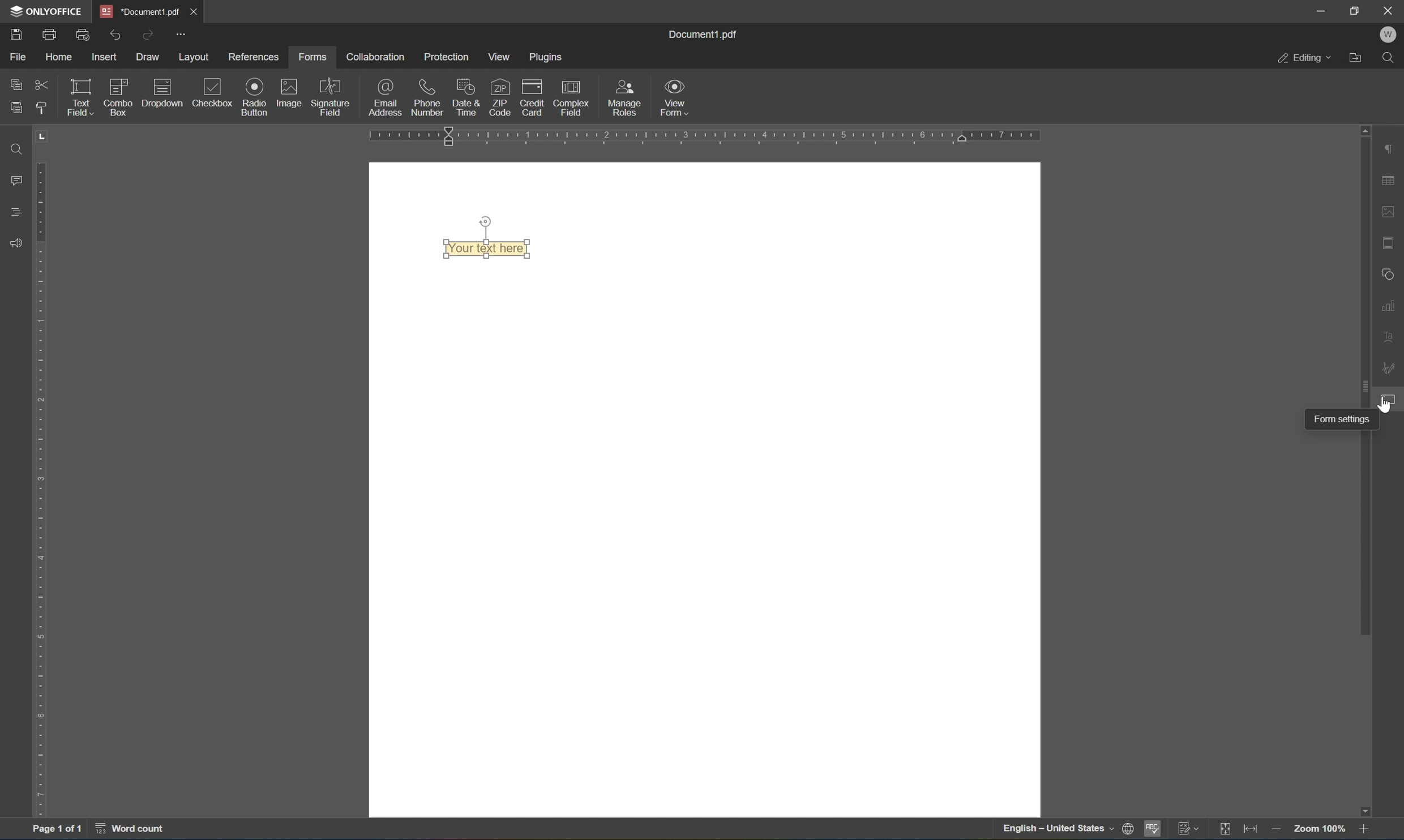 Image resolution: width=1404 pixels, height=840 pixels. What do you see at coordinates (137, 9) in the screenshot?
I see `document1` at bounding box center [137, 9].